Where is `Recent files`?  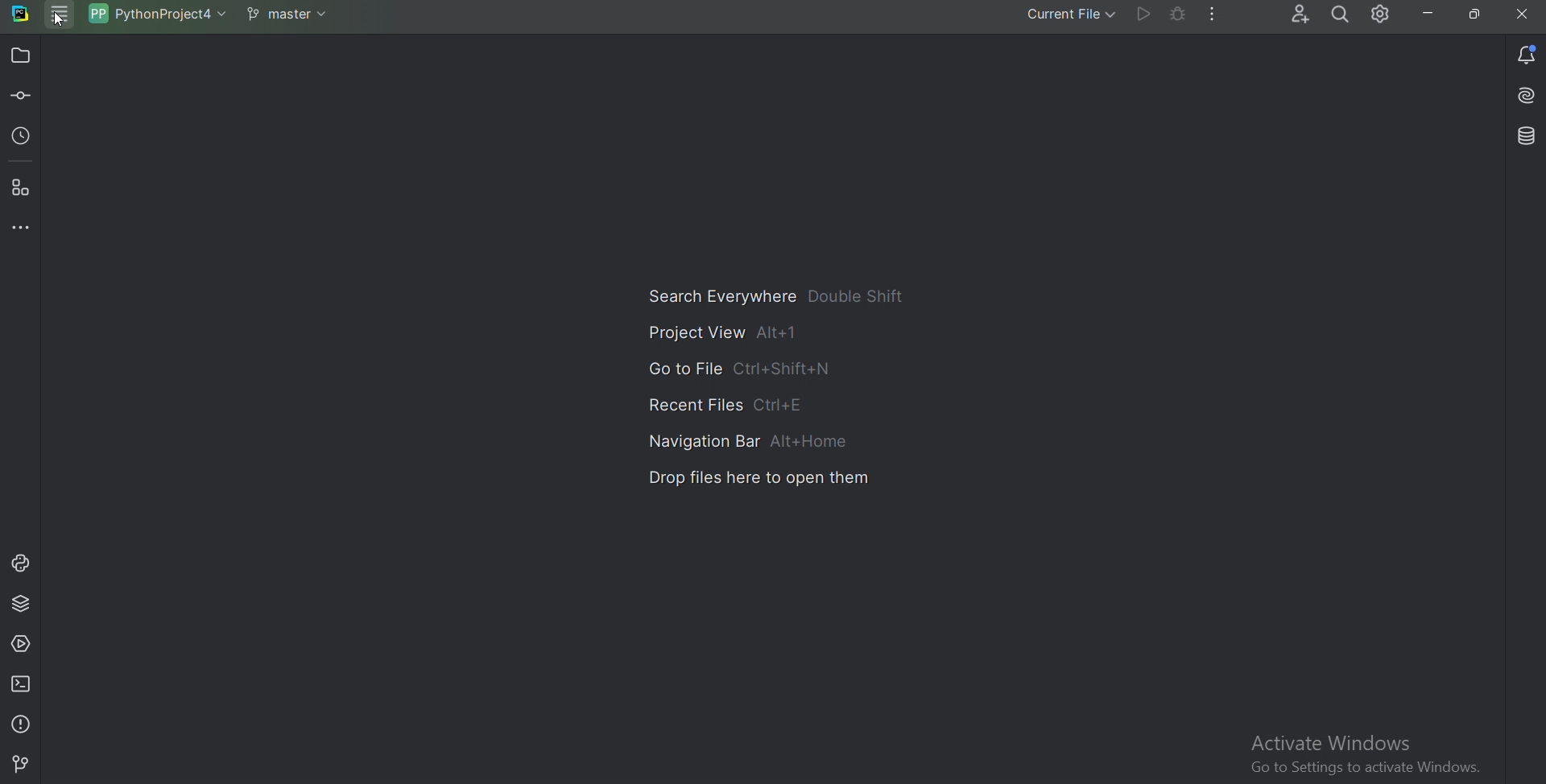 Recent files is located at coordinates (714, 402).